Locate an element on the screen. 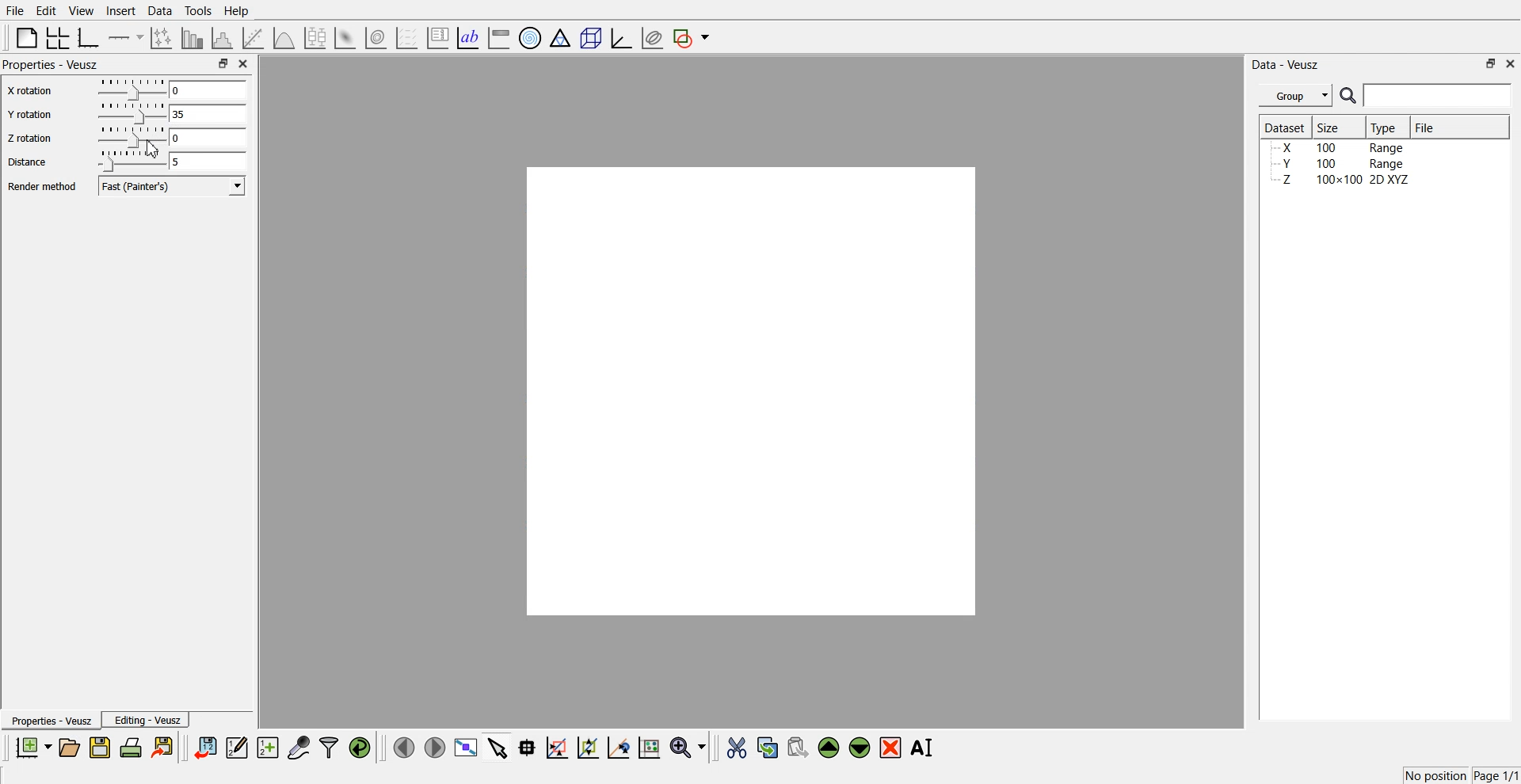 This screenshot has height=784, width=1521. Click to reset graph axes is located at coordinates (649, 746).